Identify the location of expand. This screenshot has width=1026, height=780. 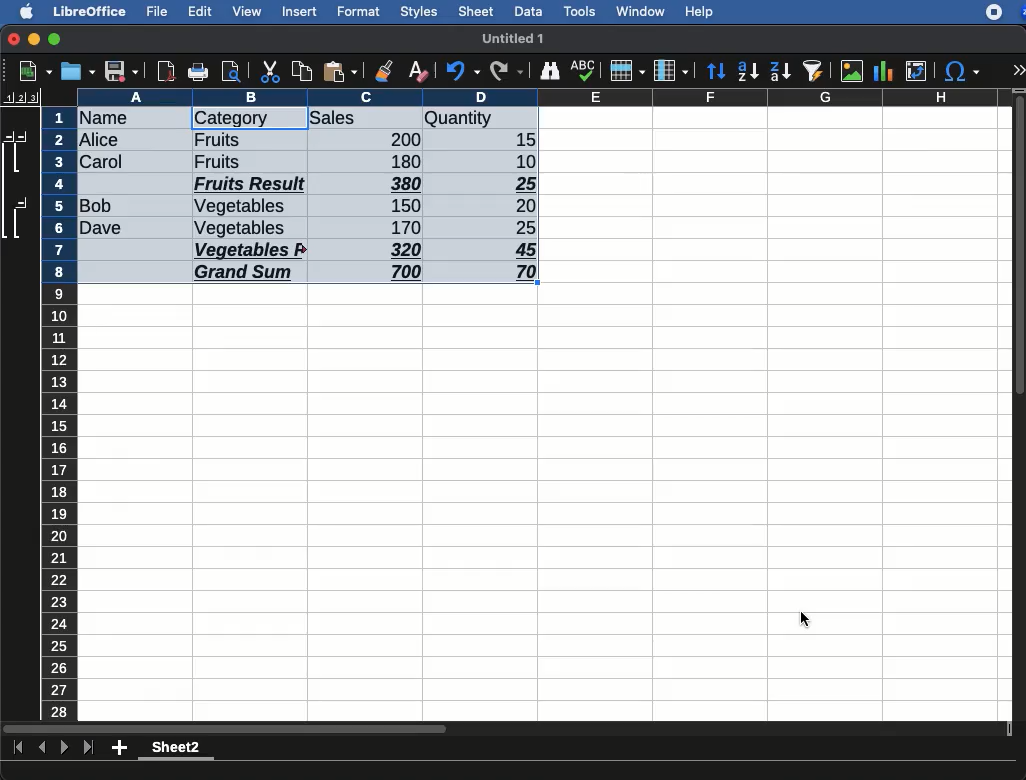
(1018, 70).